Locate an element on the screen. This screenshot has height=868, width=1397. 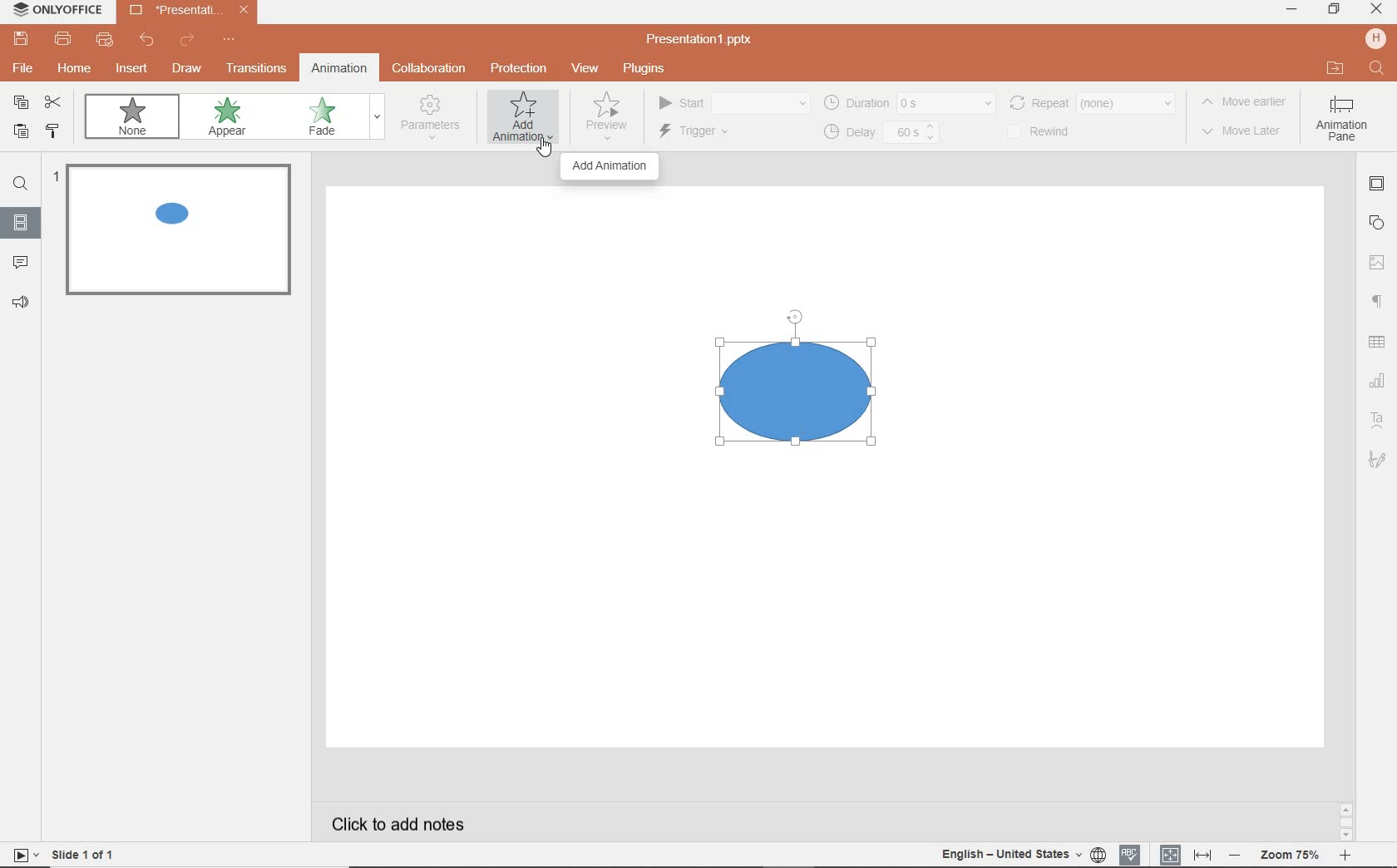
HP is located at coordinates (1375, 40).